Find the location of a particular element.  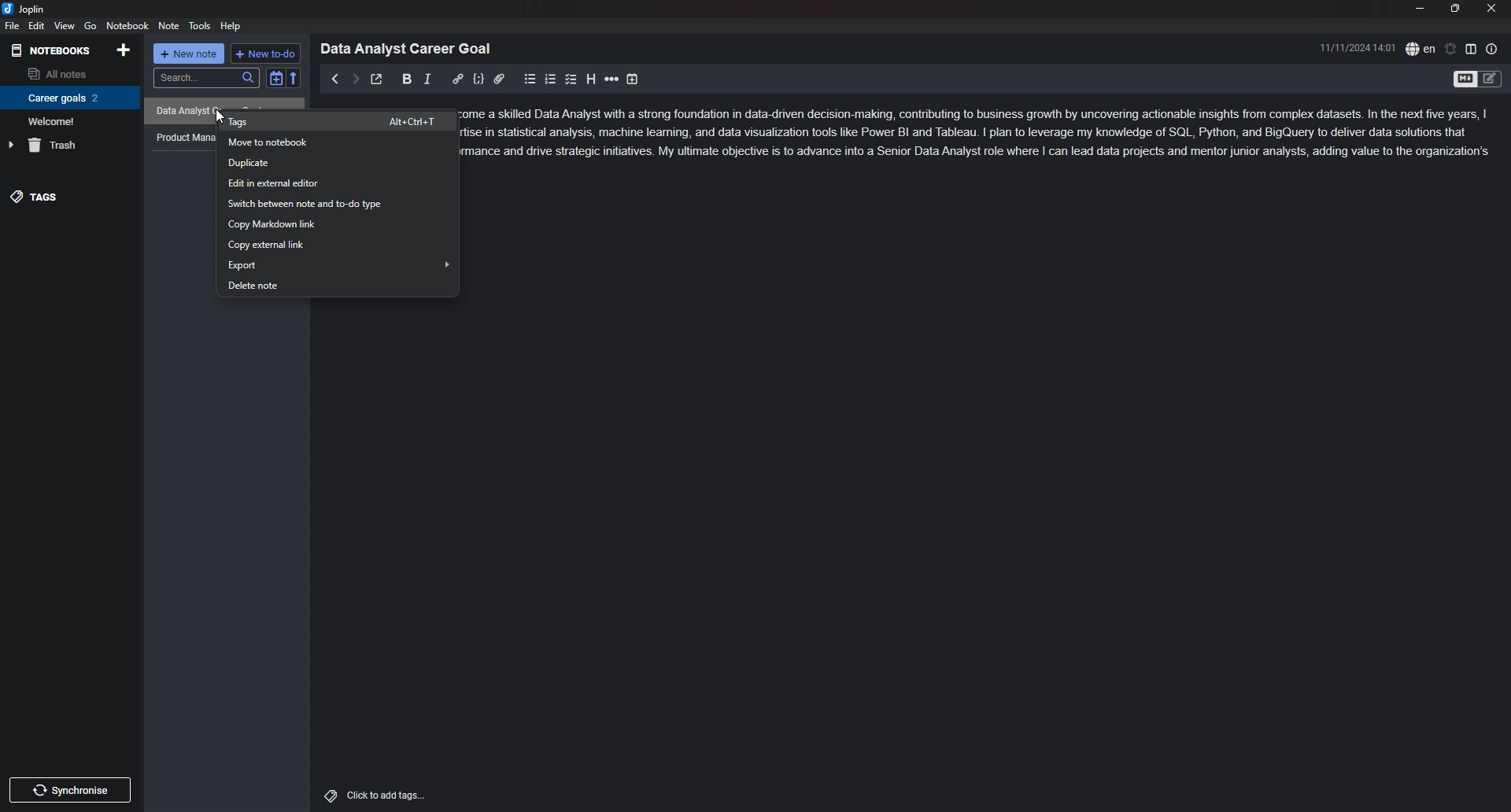

search... is located at coordinates (205, 78).